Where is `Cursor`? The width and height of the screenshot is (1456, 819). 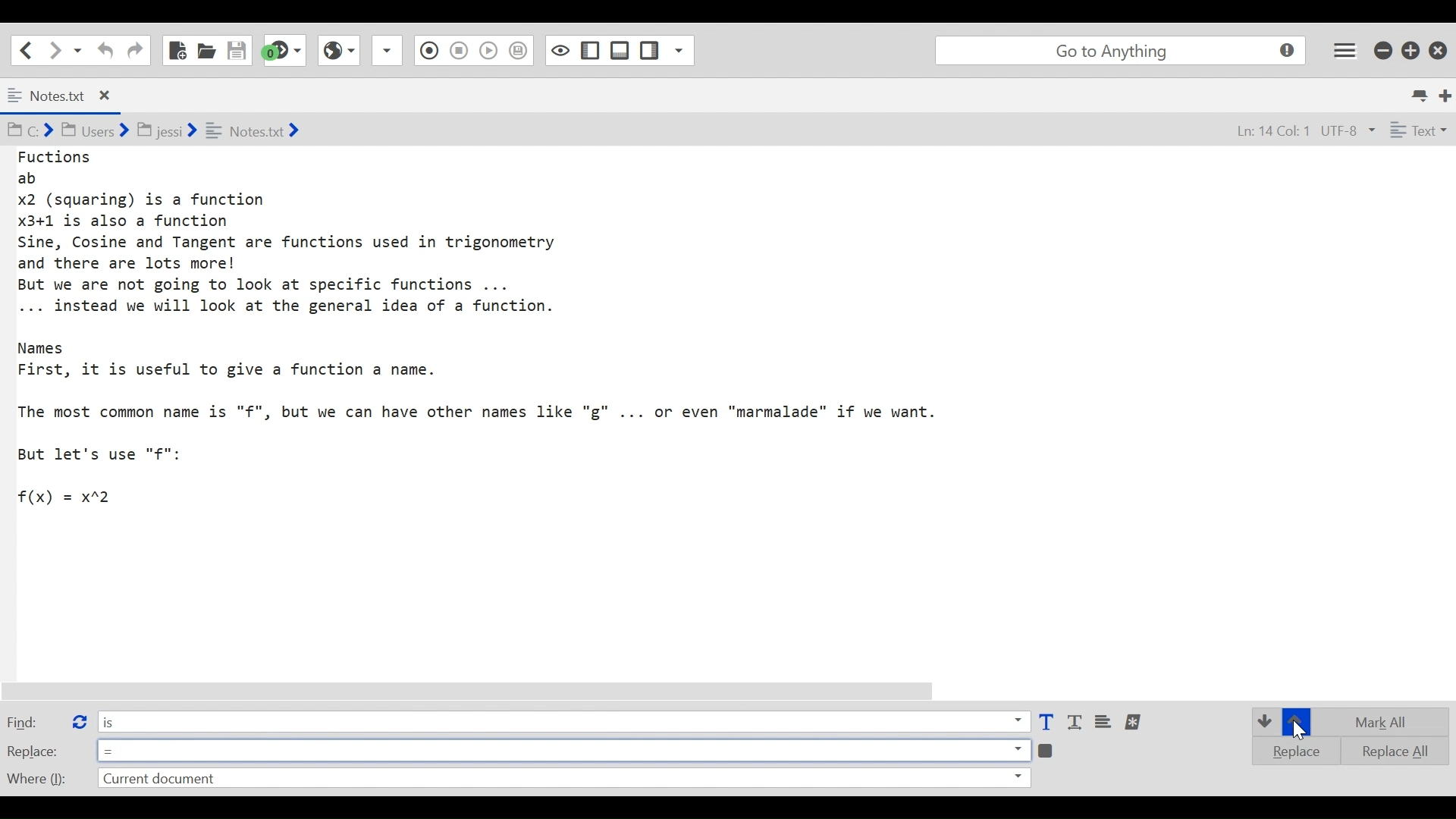 Cursor is located at coordinates (1299, 732).